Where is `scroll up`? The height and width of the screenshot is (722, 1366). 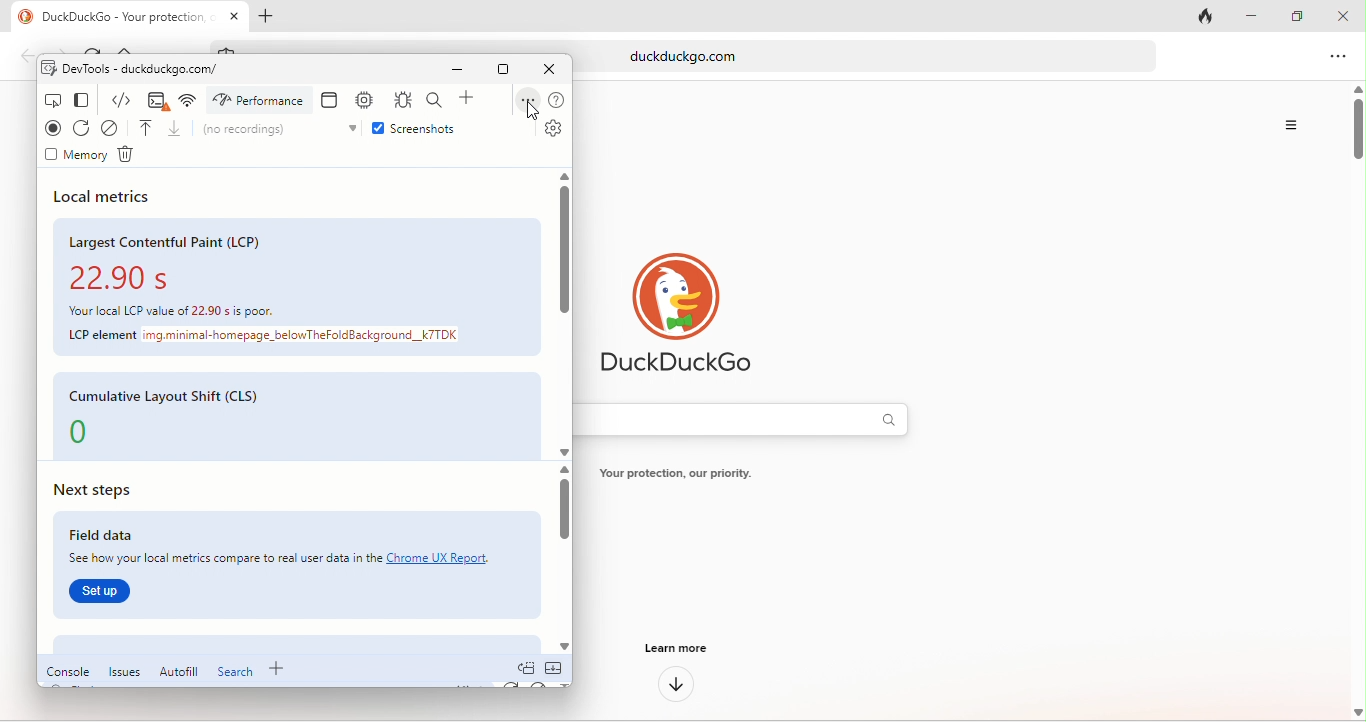 scroll up is located at coordinates (562, 176).